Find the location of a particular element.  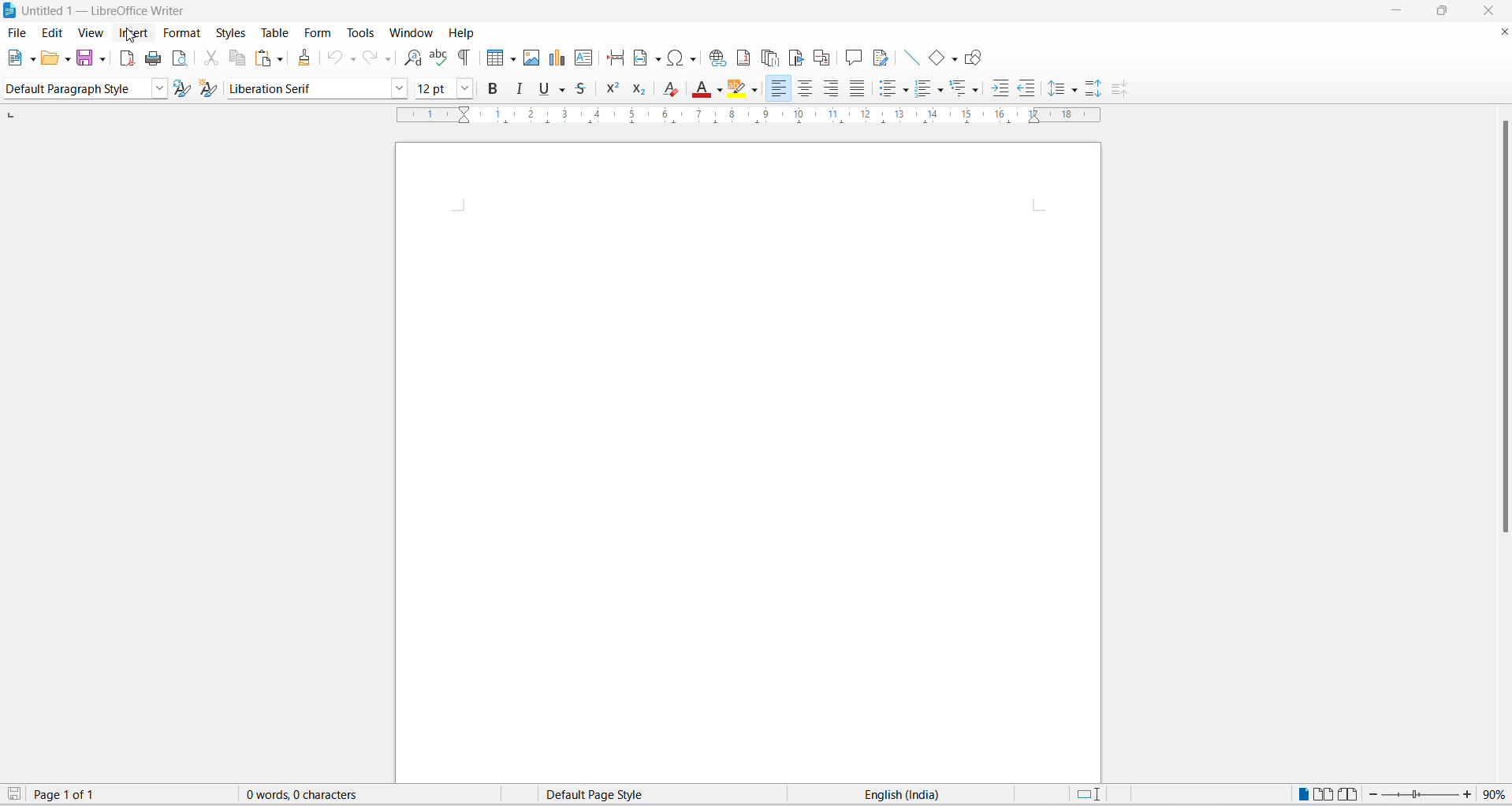

cursor is located at coordinates (131, 37).